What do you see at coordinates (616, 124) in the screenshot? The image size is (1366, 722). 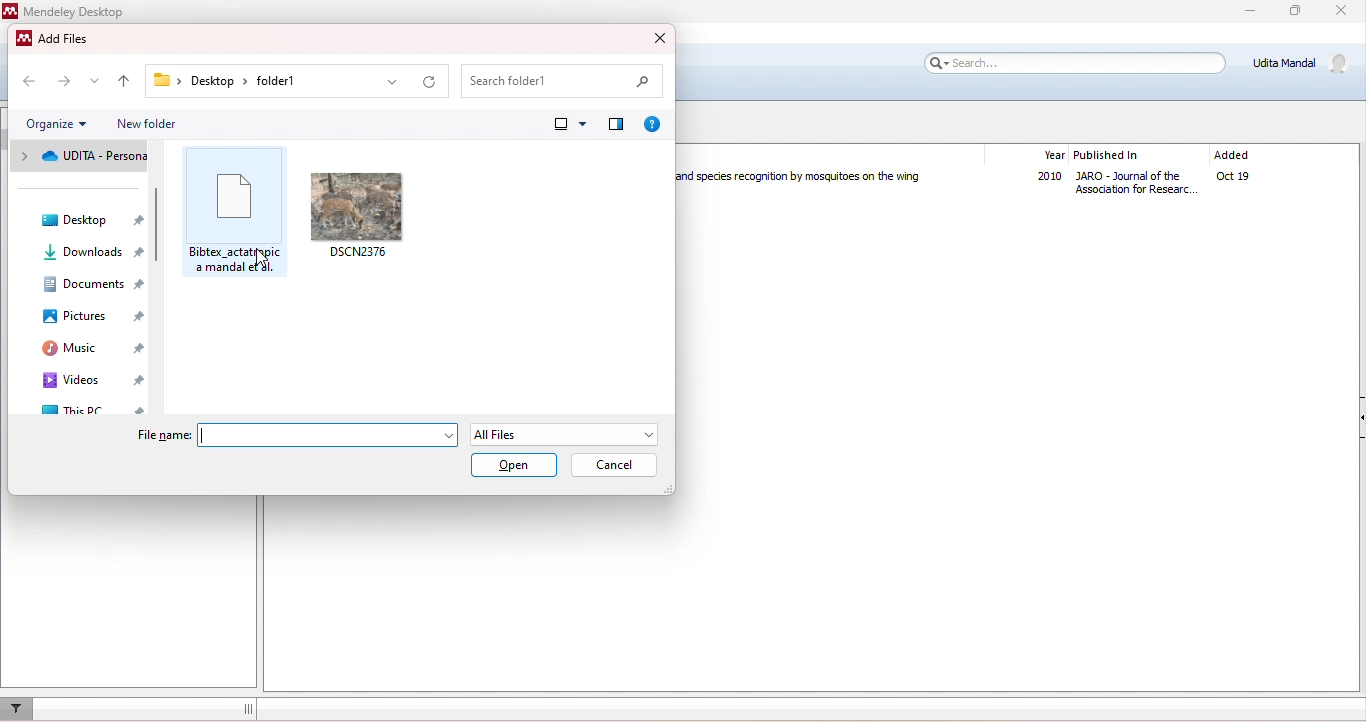 I see `show preview pane` at bounding box center [616, 124].